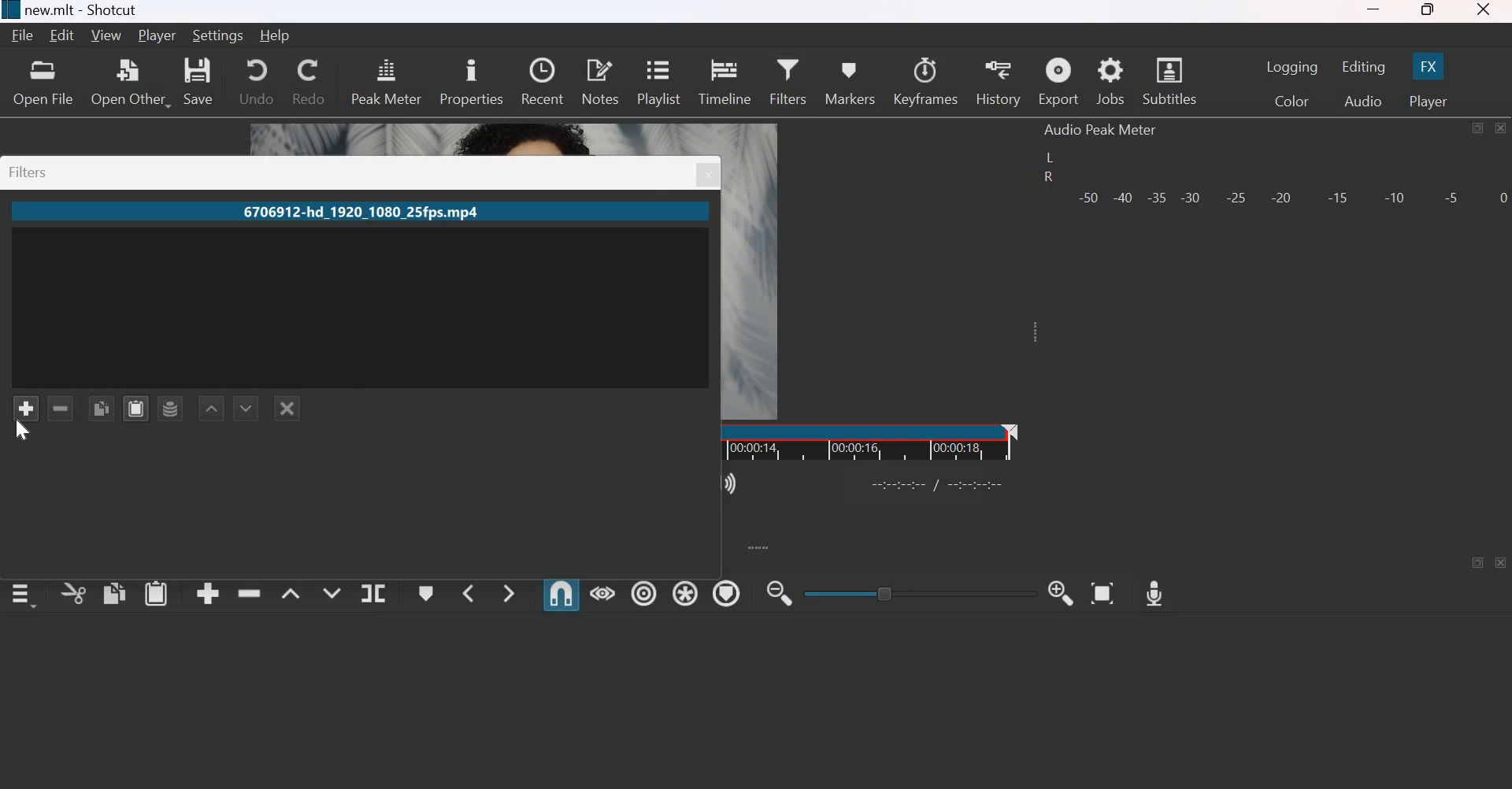  What do you see at coordinates (102, 407) in the screenshot?
I see `copy checked filters` at bounding box center [102, 407].